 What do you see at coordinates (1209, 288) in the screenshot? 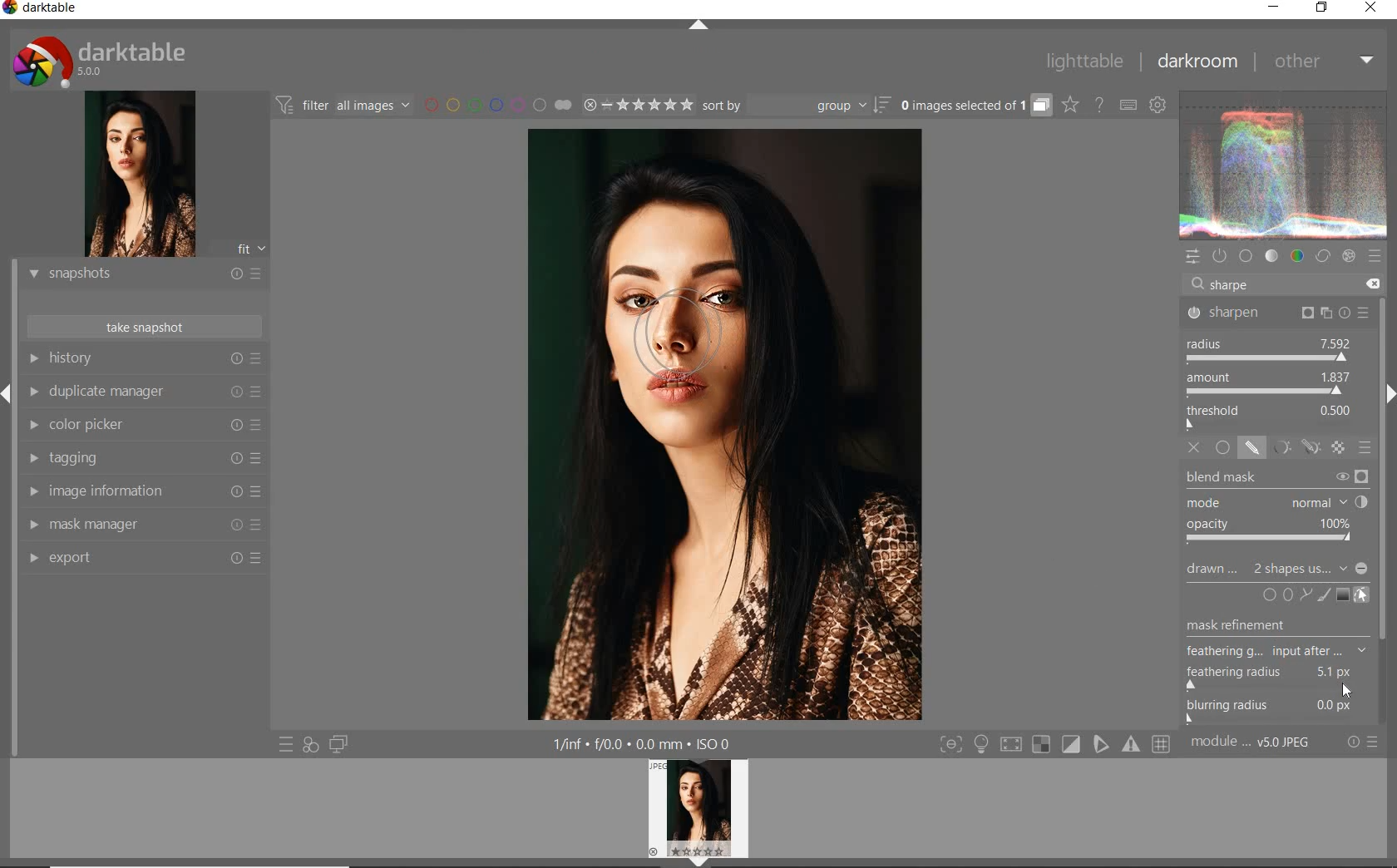
I see `EDITOR` at bounding box center [1209, 288].